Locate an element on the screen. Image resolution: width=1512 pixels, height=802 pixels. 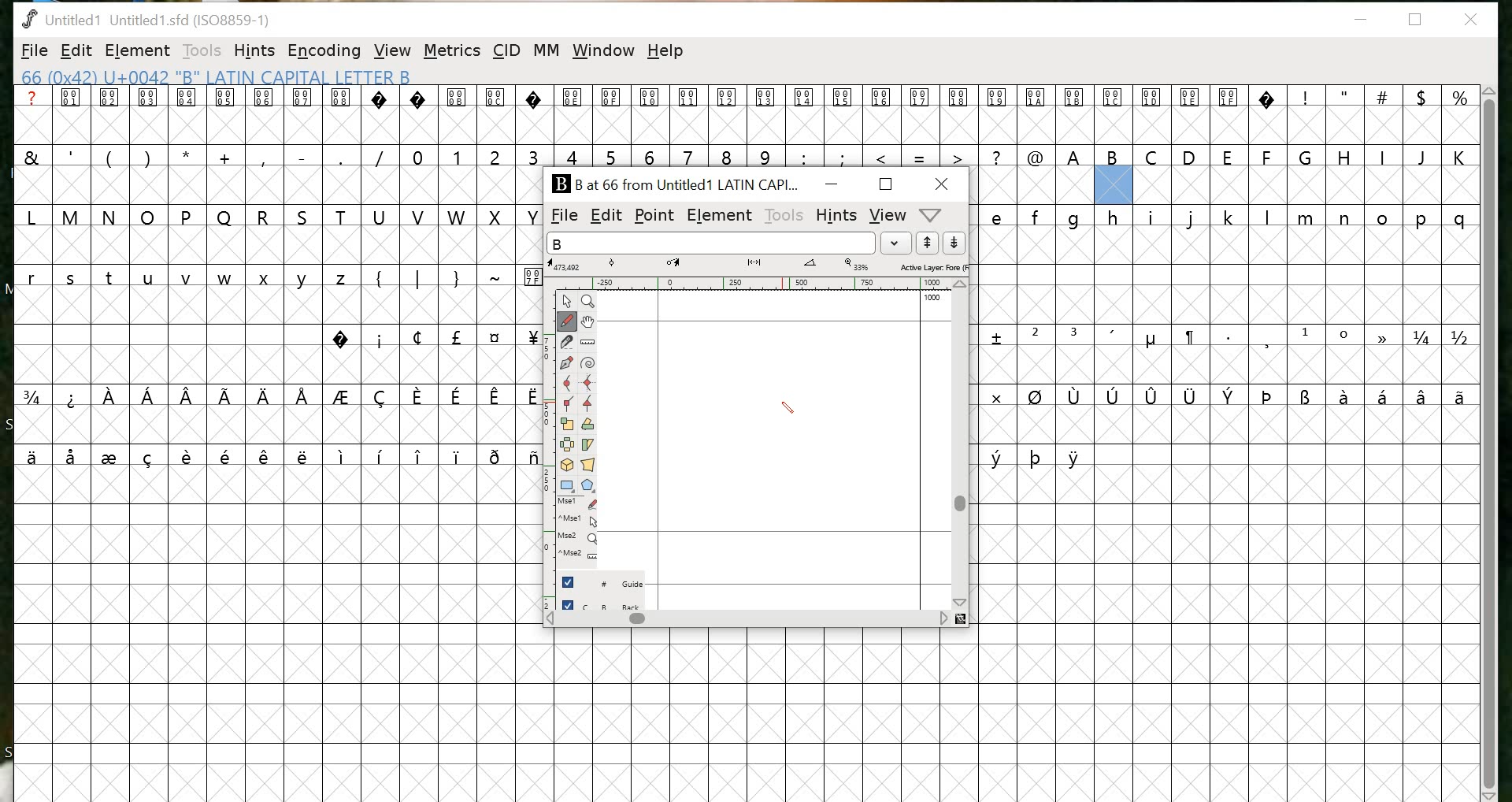
TOOLS is located at coordinates (783, 217).